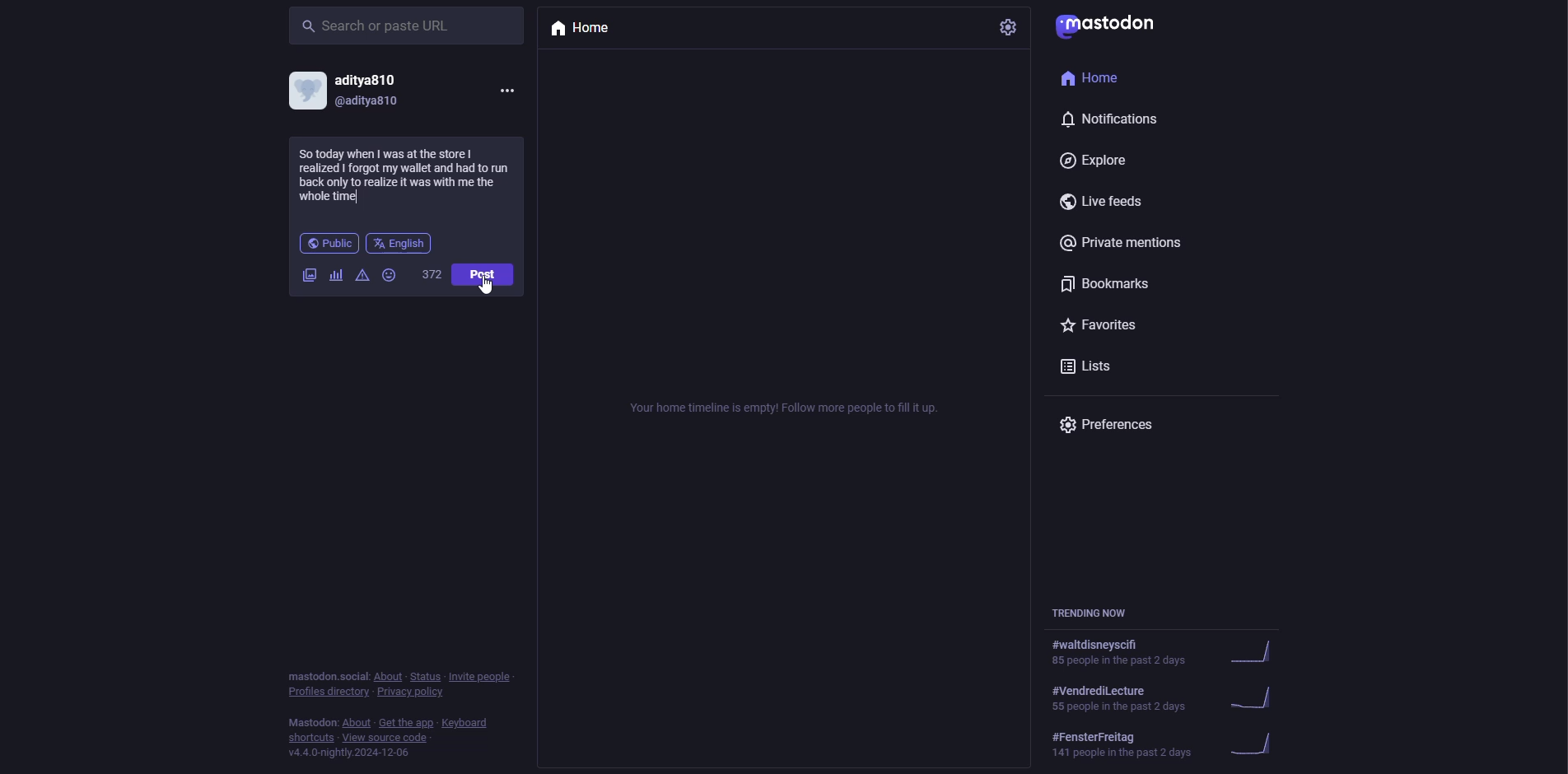 The width and height of the screenshot is (1568, 774). What do you see at coordinates (1173, 748) in the screenshot?
I see `trending` at bounding box center [1173, 748].